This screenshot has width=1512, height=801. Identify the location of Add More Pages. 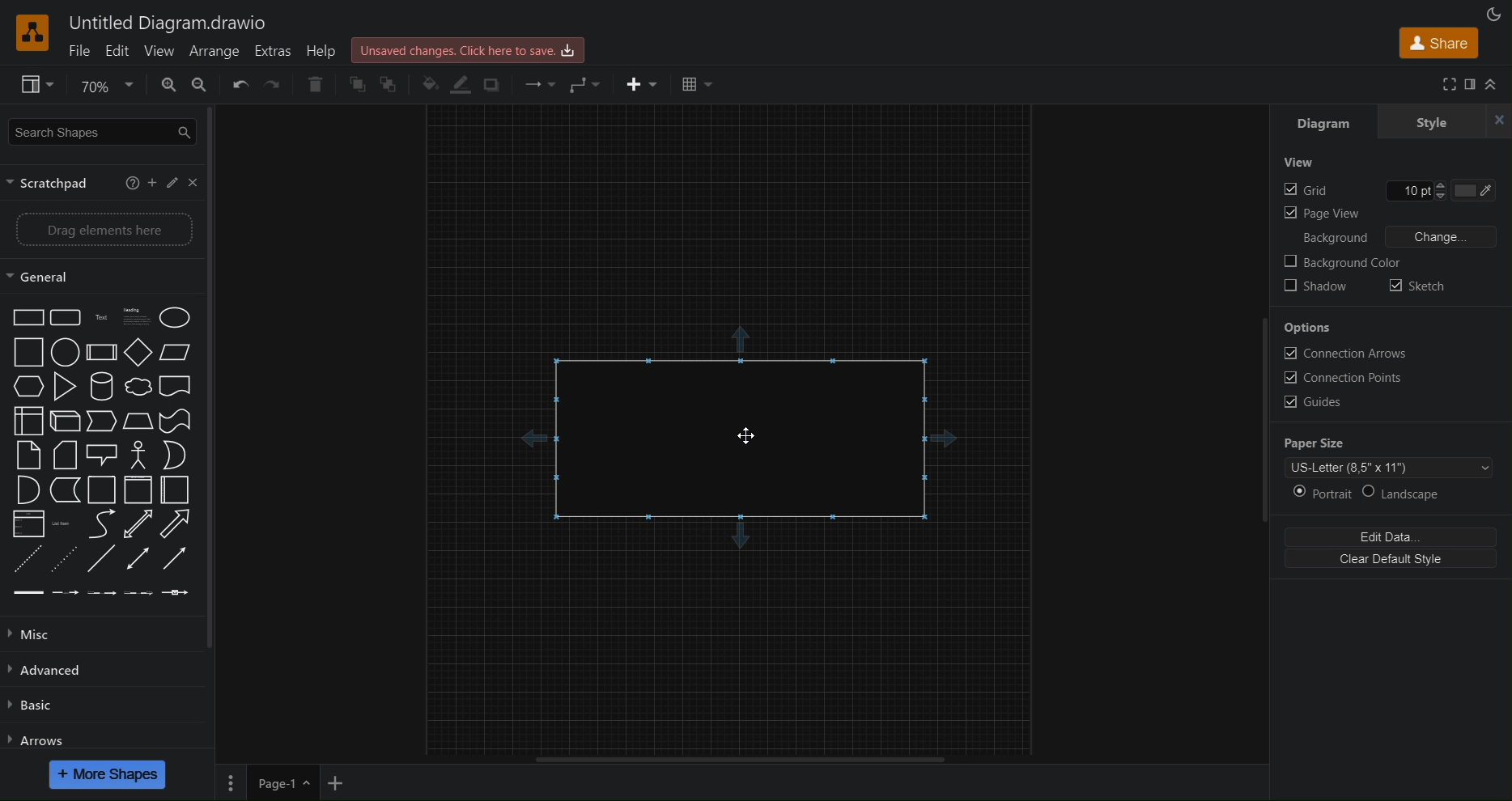
(336, 783).